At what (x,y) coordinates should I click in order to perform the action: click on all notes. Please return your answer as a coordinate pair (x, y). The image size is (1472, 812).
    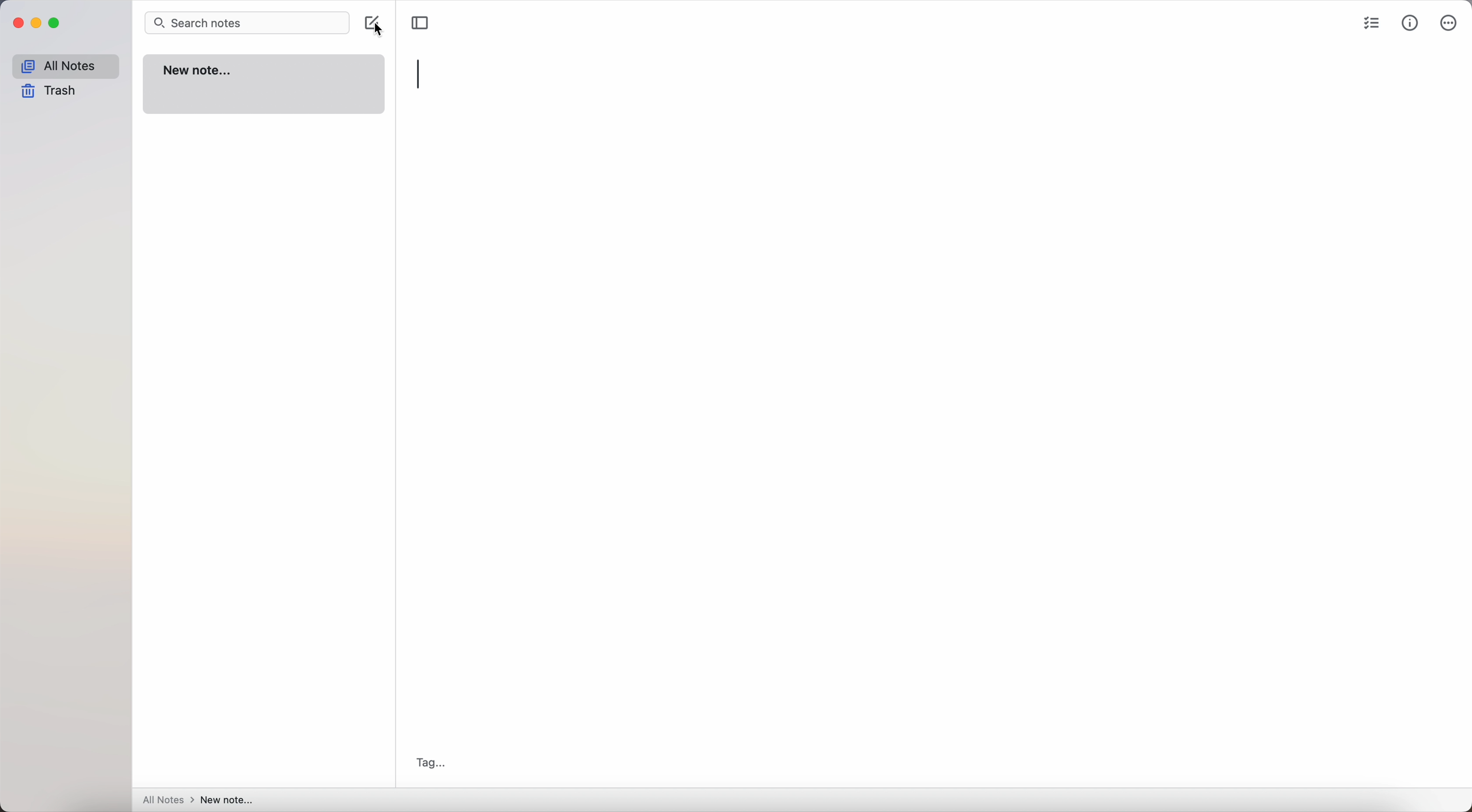
    Looking at the image, I should click on (65, 64).